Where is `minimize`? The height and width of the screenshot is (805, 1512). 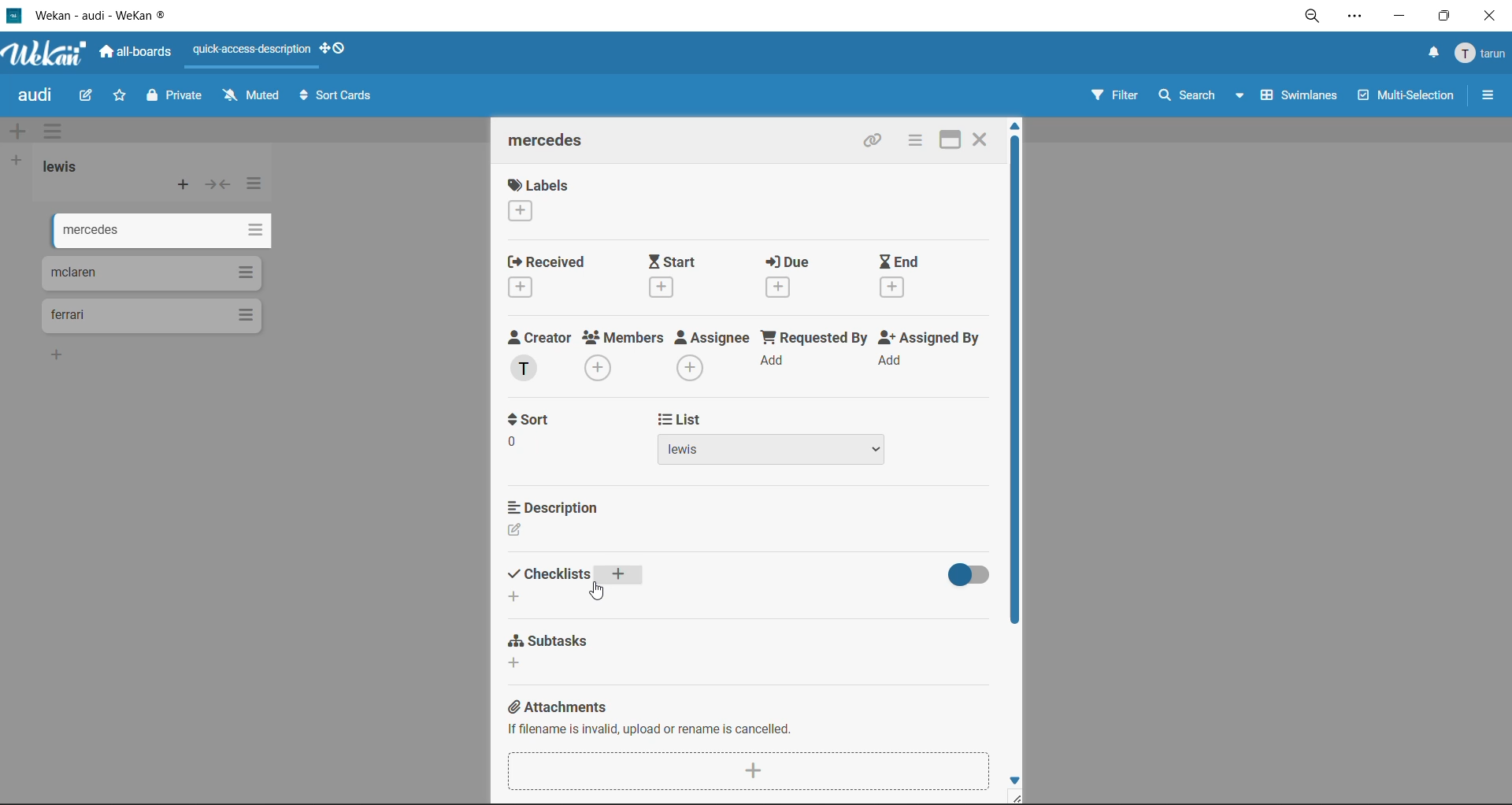
minimize is located at coordinates (1399, 19).